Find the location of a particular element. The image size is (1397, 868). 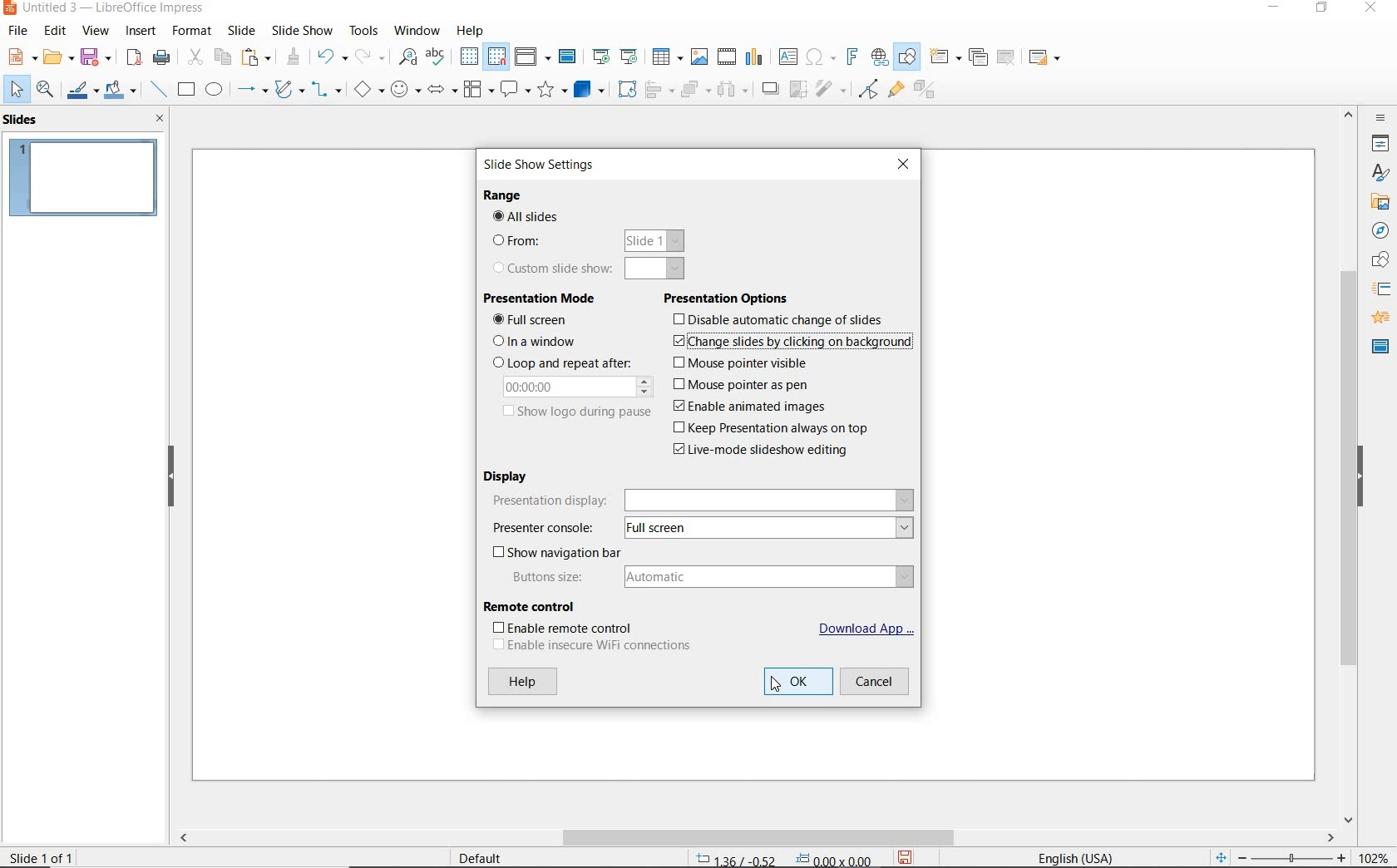

RANGE is located at coordinates (508, 195).